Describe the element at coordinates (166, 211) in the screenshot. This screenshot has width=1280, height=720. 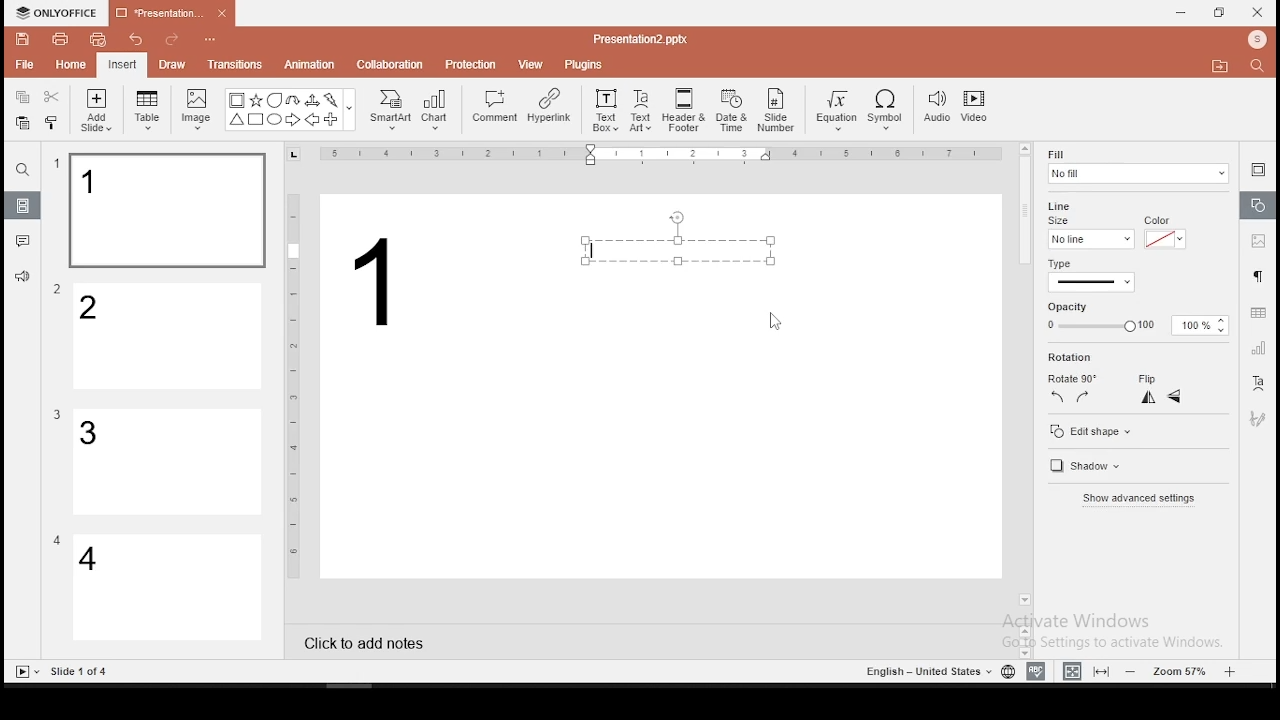
I see `slide 1` at that location.